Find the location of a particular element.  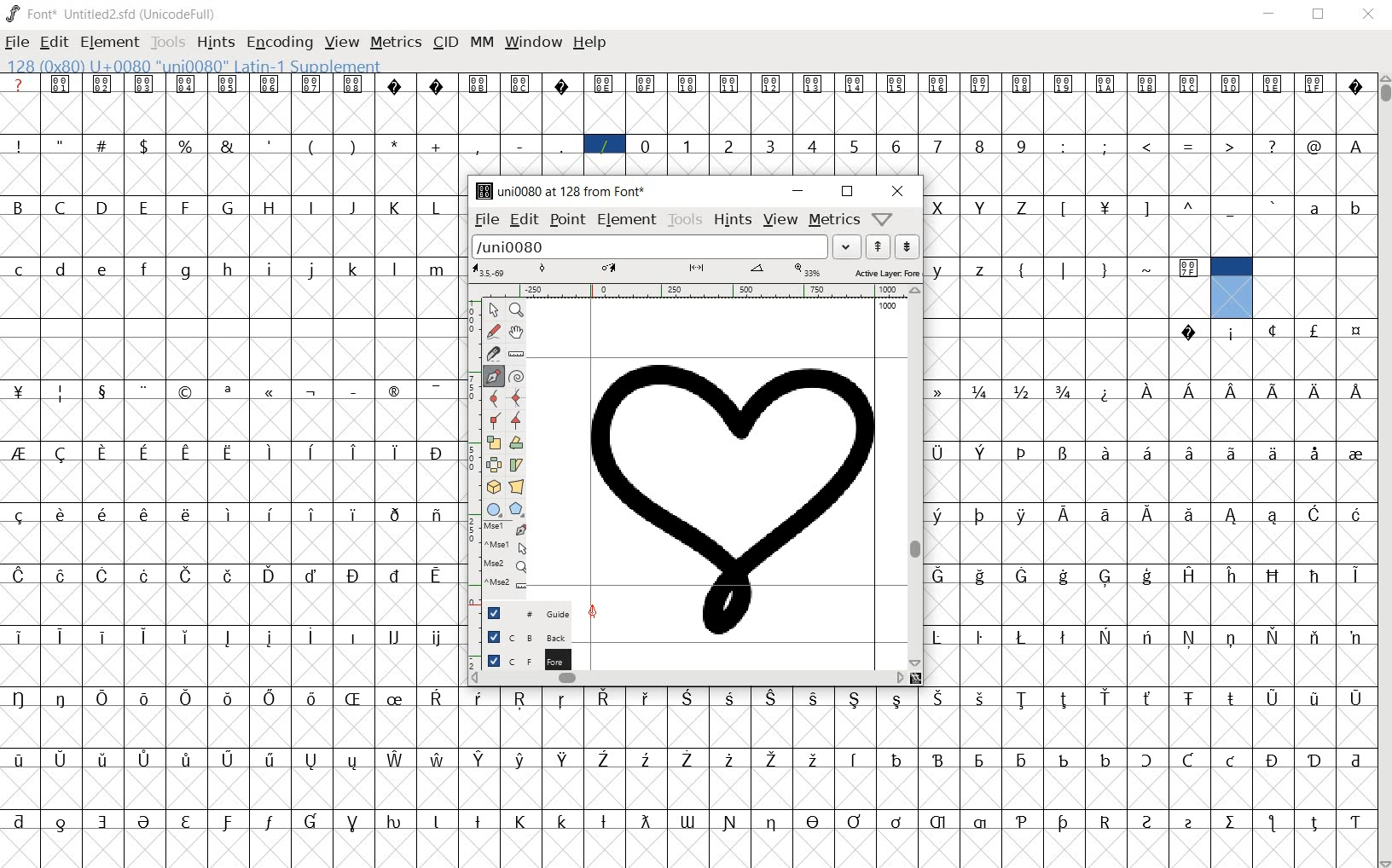

glyph is located at coordinates (1190, 148).